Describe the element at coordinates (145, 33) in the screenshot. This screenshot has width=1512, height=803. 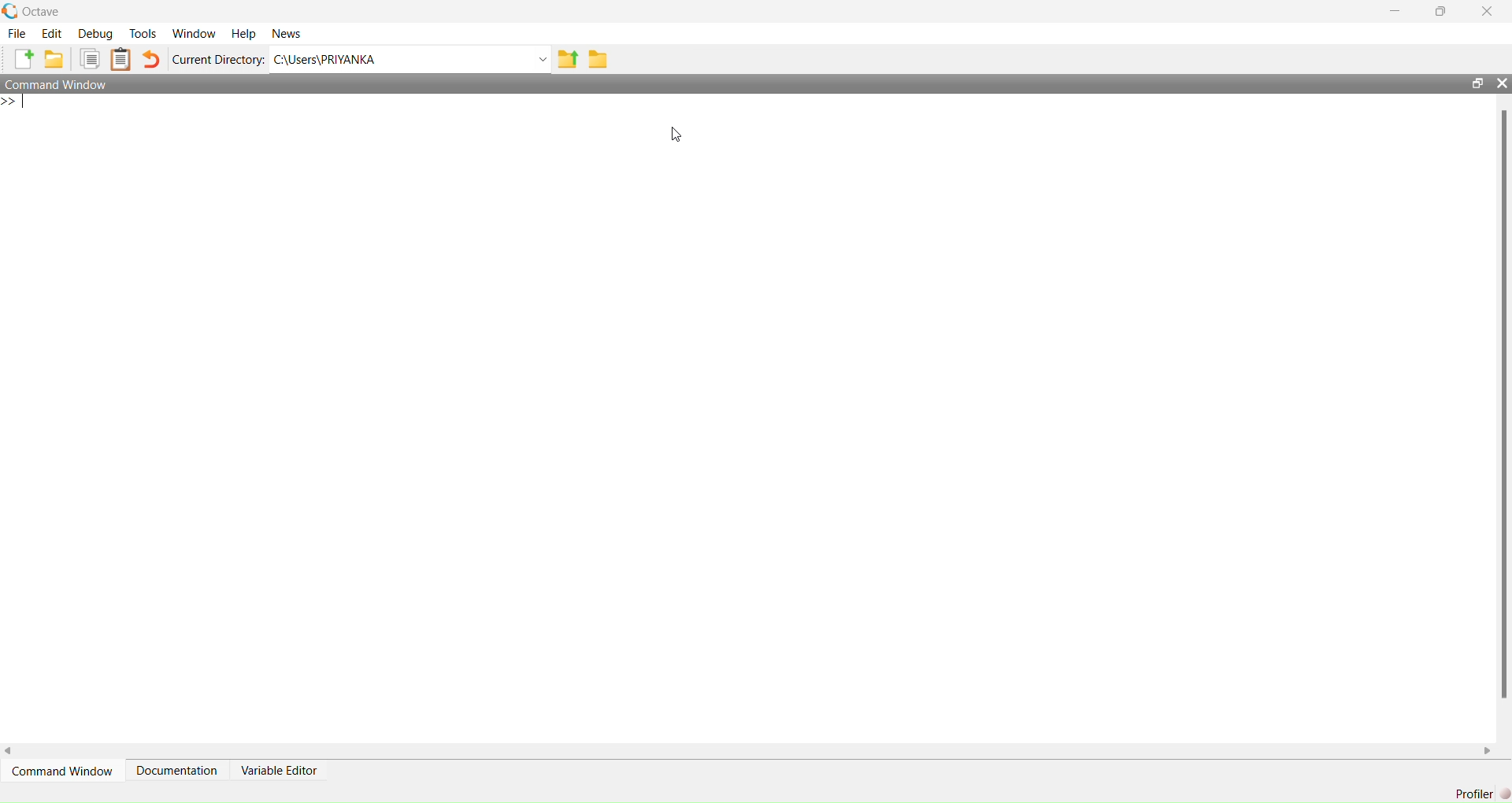
I see `tools` at that location.